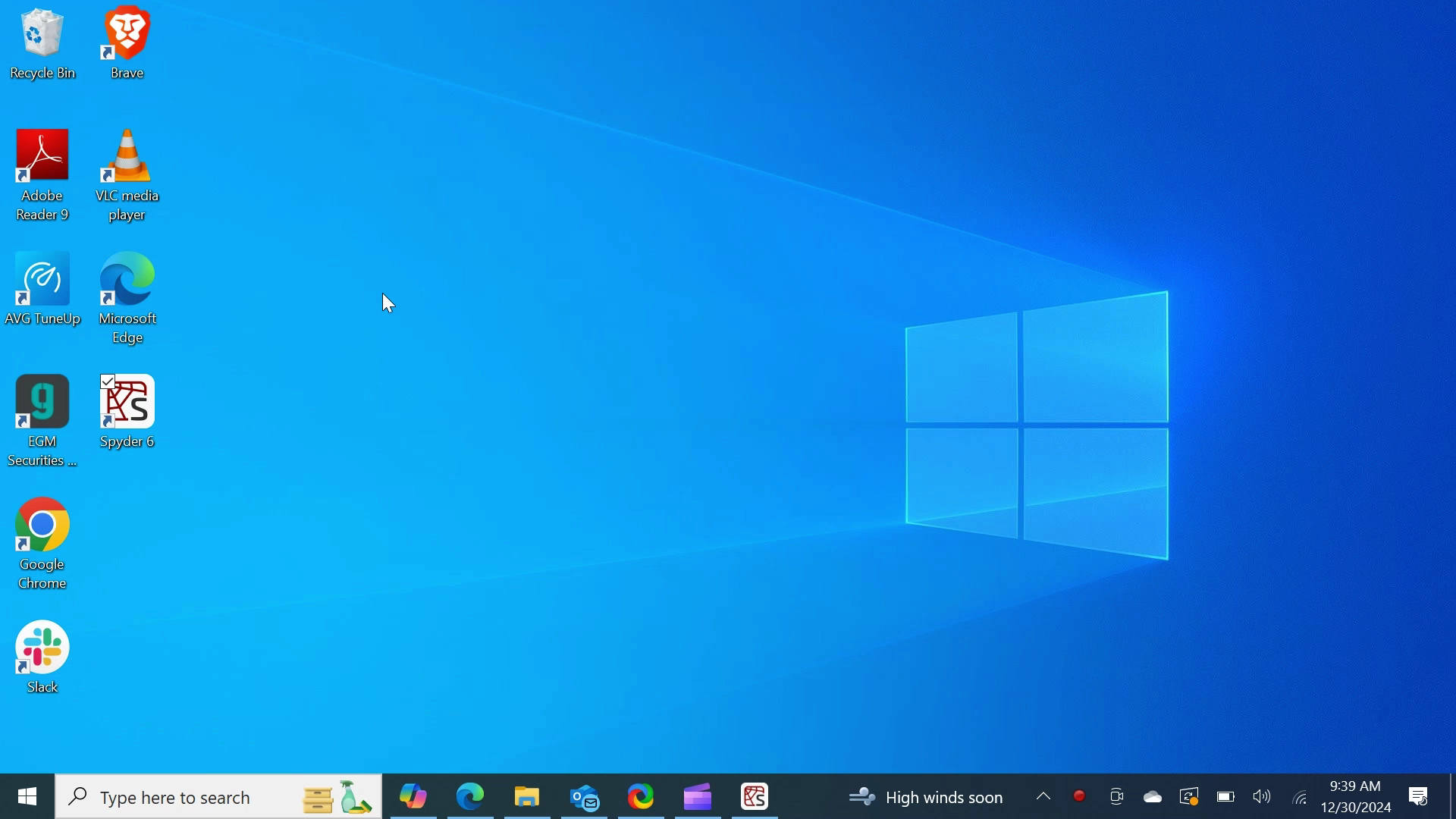 The image size is (1456, 819). What do you see at coordinates (1357, 807) in the screenshot?
I see `12/30/2024` at bounding box center [1357, 807].